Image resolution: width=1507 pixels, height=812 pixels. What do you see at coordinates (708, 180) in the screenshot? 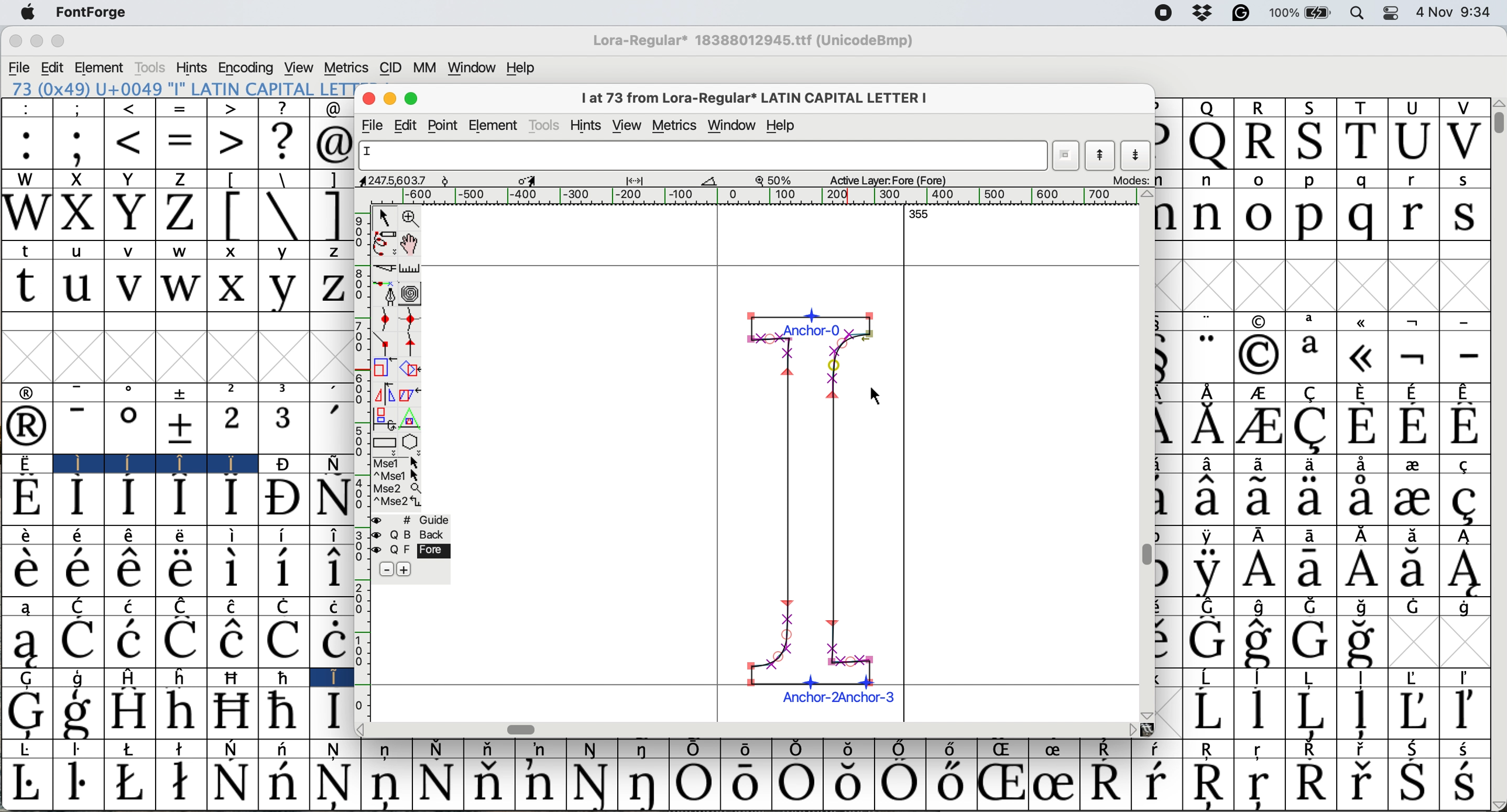
I see `` at bounding box center [708, 180].